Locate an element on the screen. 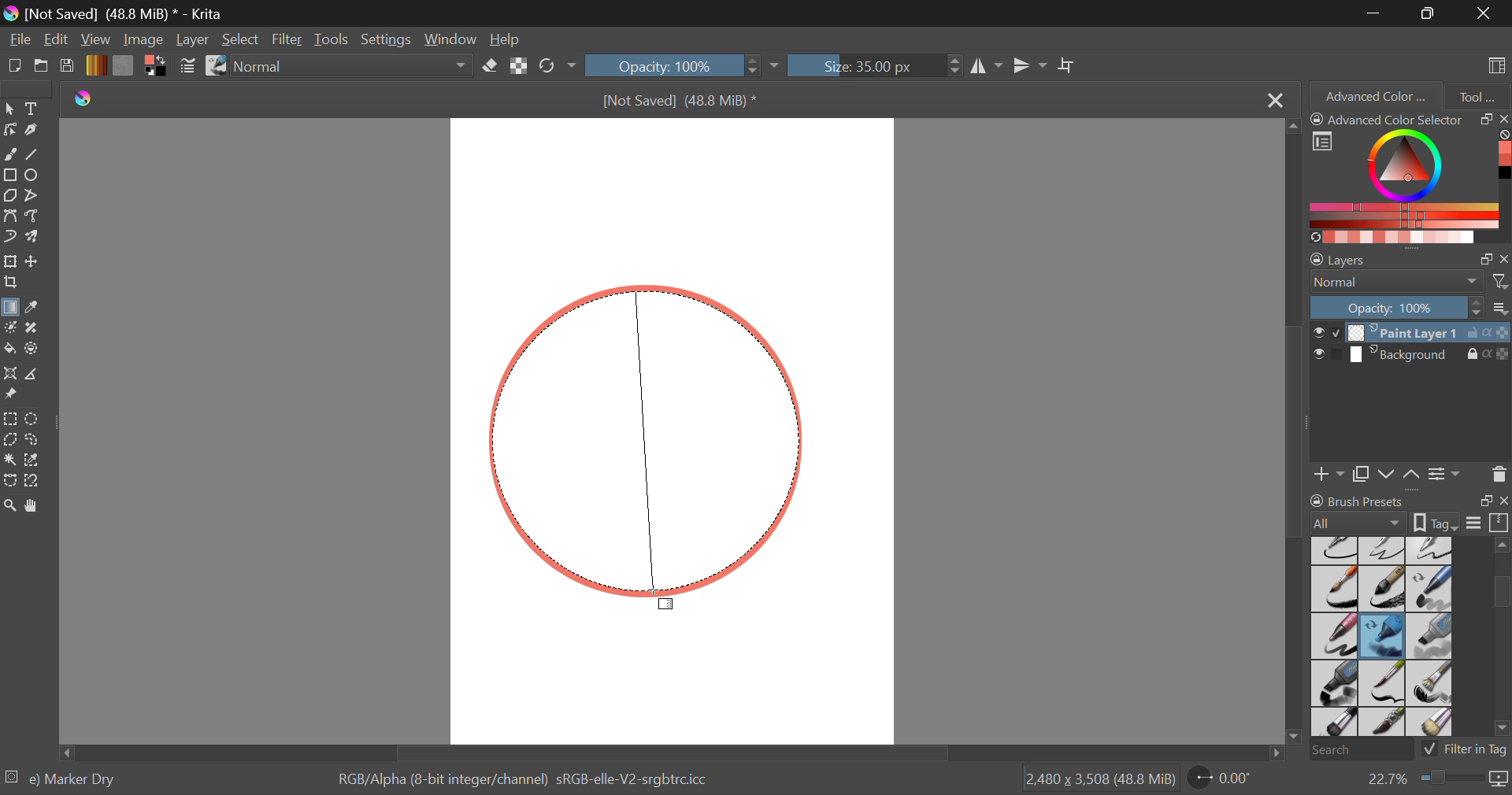 The height and width of the screenshot is (795, 1512). Bristles-2 Flat Rough is located at coordinates (1432, 684).